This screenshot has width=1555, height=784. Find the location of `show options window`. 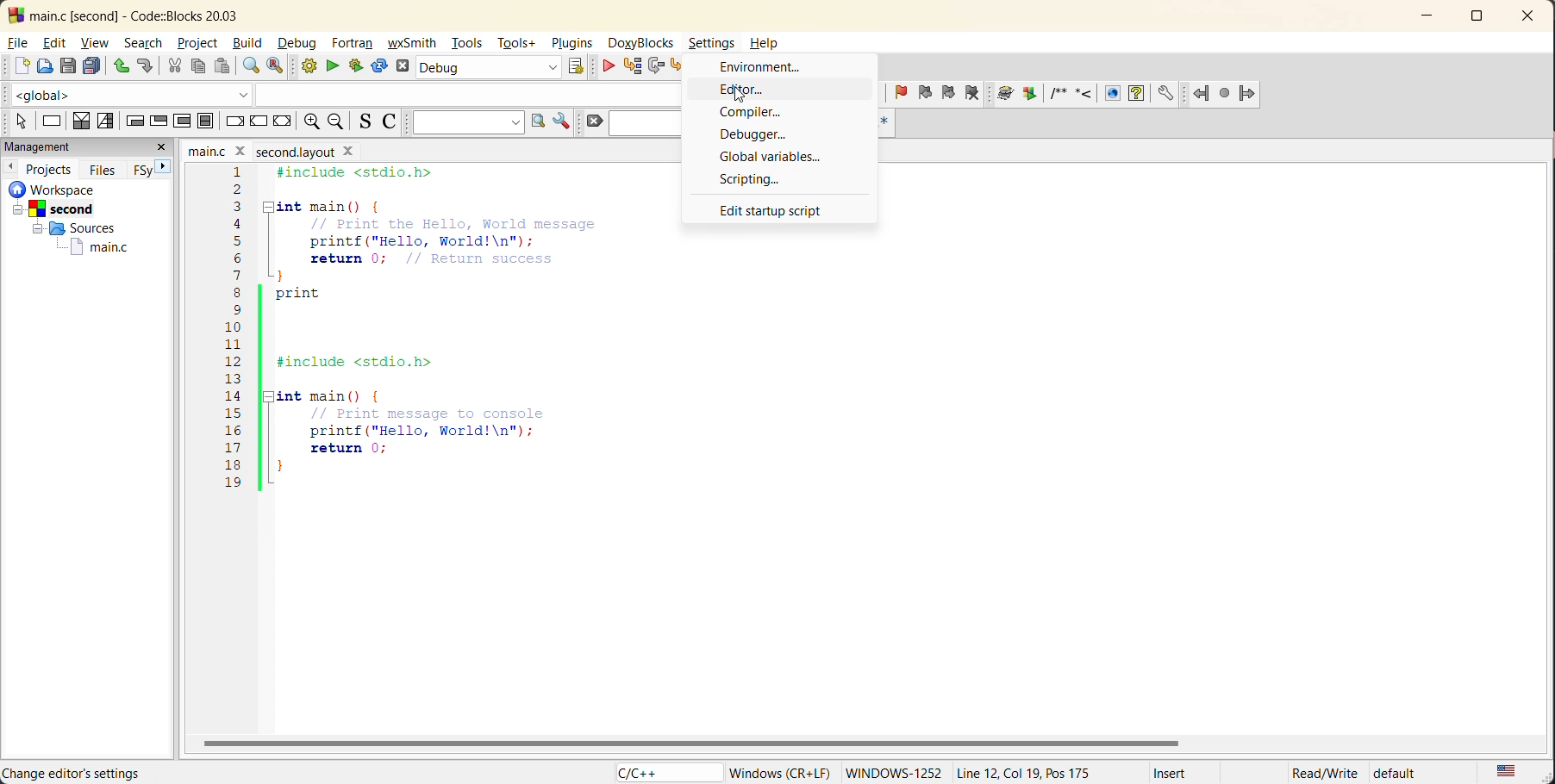

show options window is located at coordinates (563, 122).